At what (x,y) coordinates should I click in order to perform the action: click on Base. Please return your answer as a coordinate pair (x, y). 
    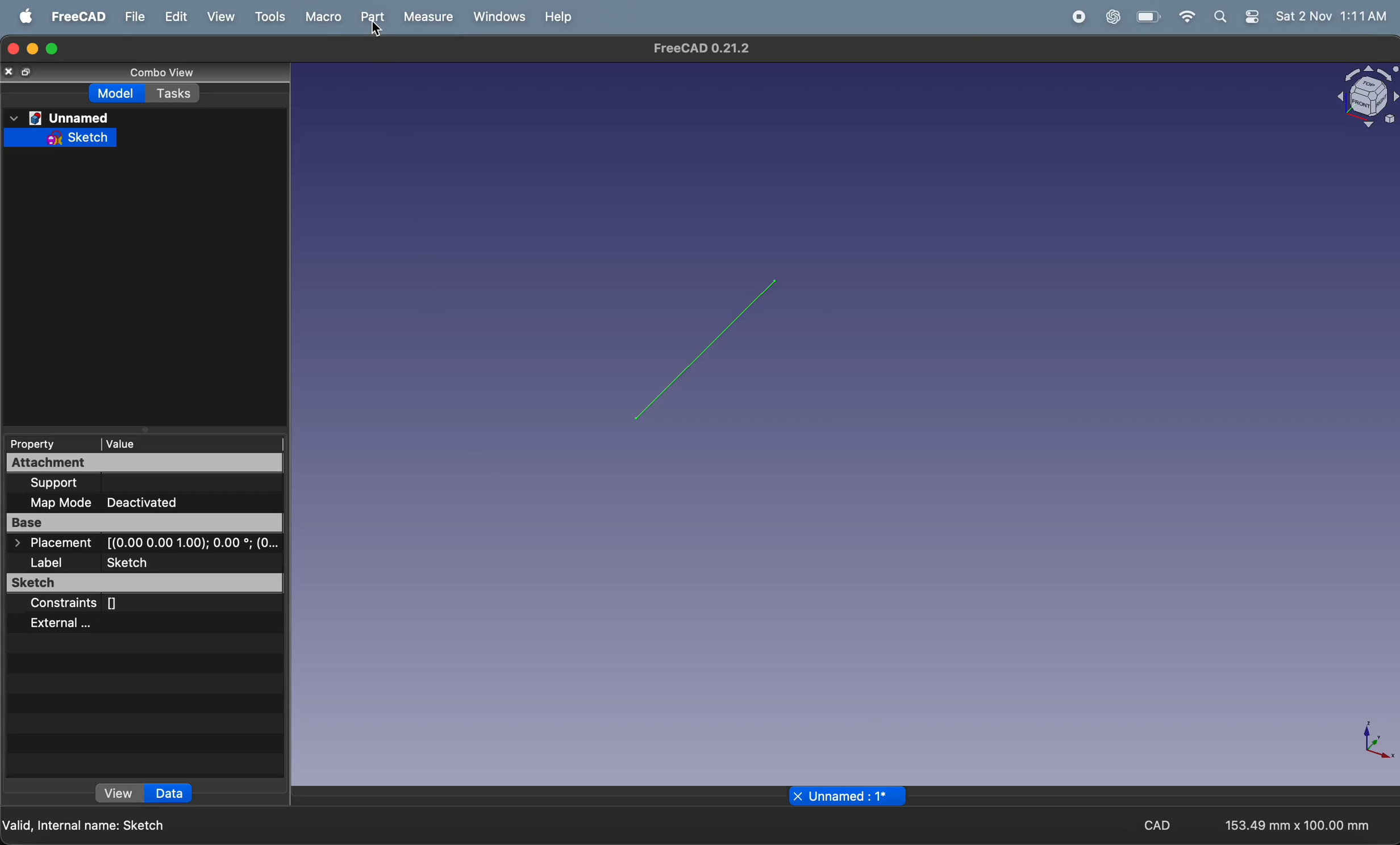
    Looking at the image, I should click on (142, 522).